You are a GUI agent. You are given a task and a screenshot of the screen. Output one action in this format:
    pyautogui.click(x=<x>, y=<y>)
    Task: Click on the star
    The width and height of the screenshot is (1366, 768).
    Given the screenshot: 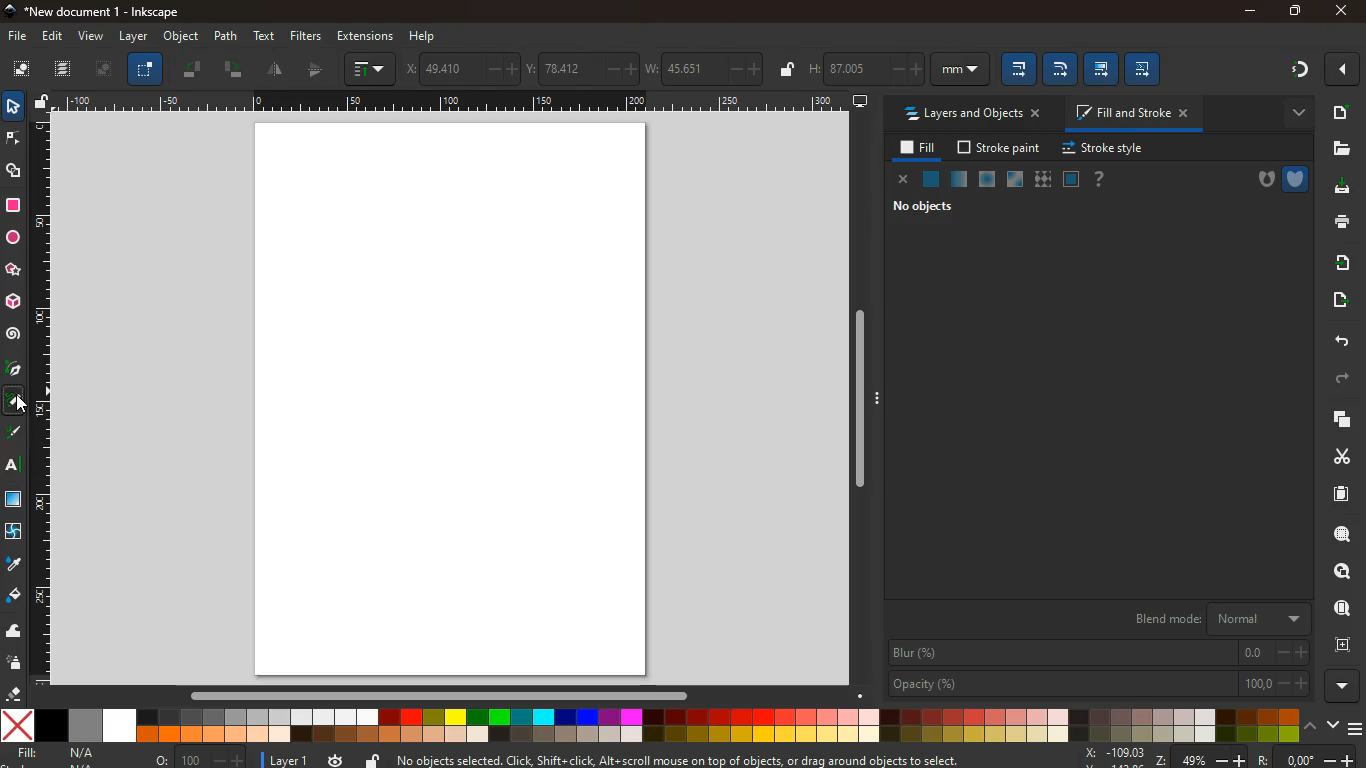 What is the action you would take?
    pyautogui.click(x=13, y=271)
    